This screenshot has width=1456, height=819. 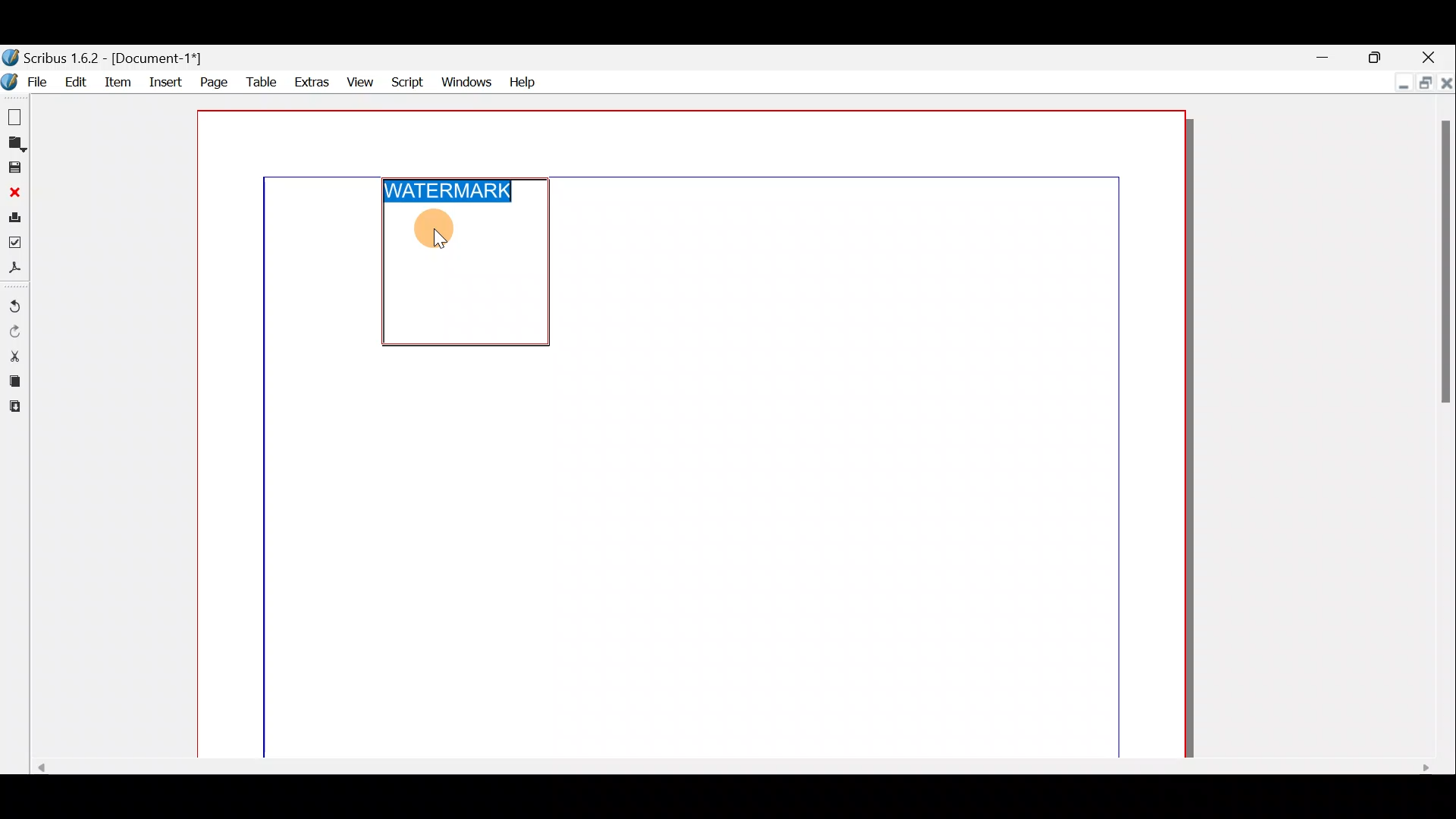 I want to click on Close, so click(x=1446, y=81).